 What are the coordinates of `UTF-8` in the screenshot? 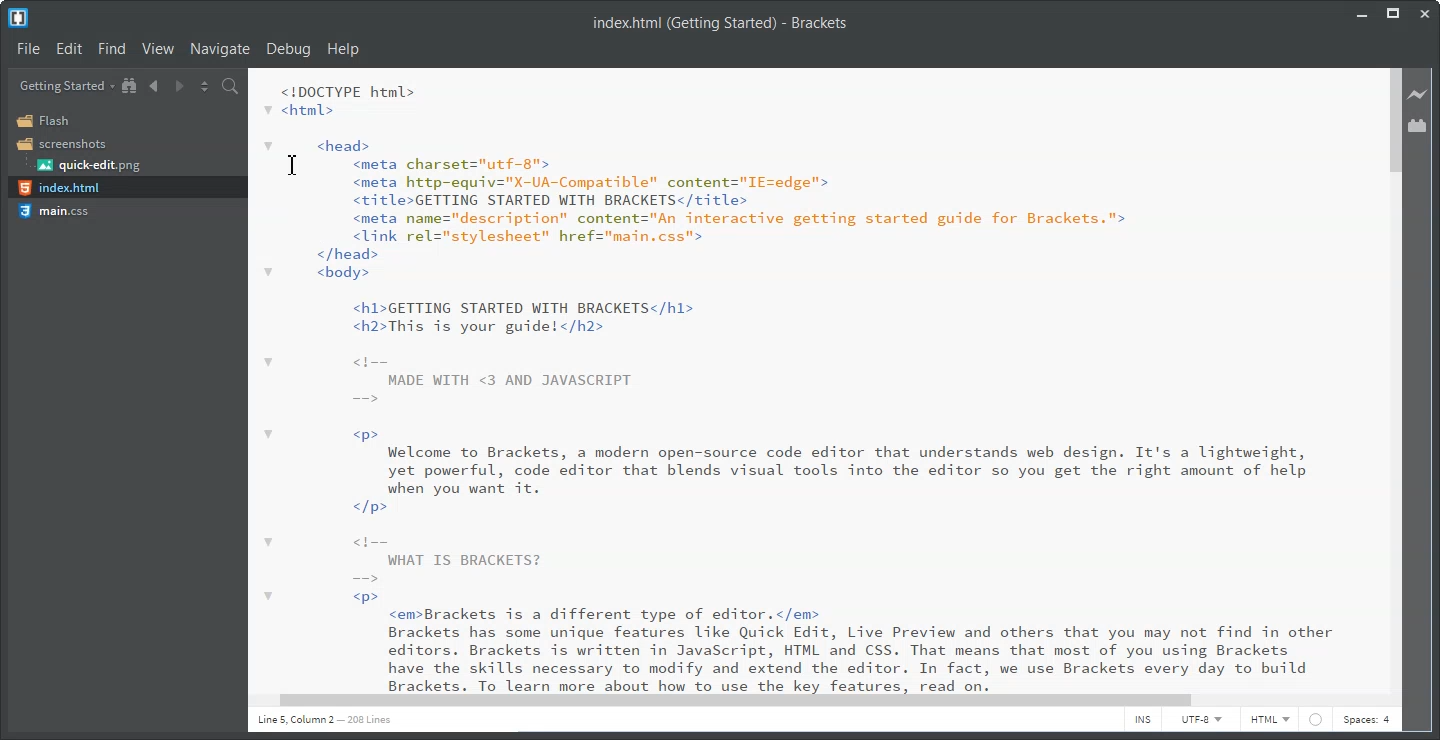 It's located at (1201, 720).